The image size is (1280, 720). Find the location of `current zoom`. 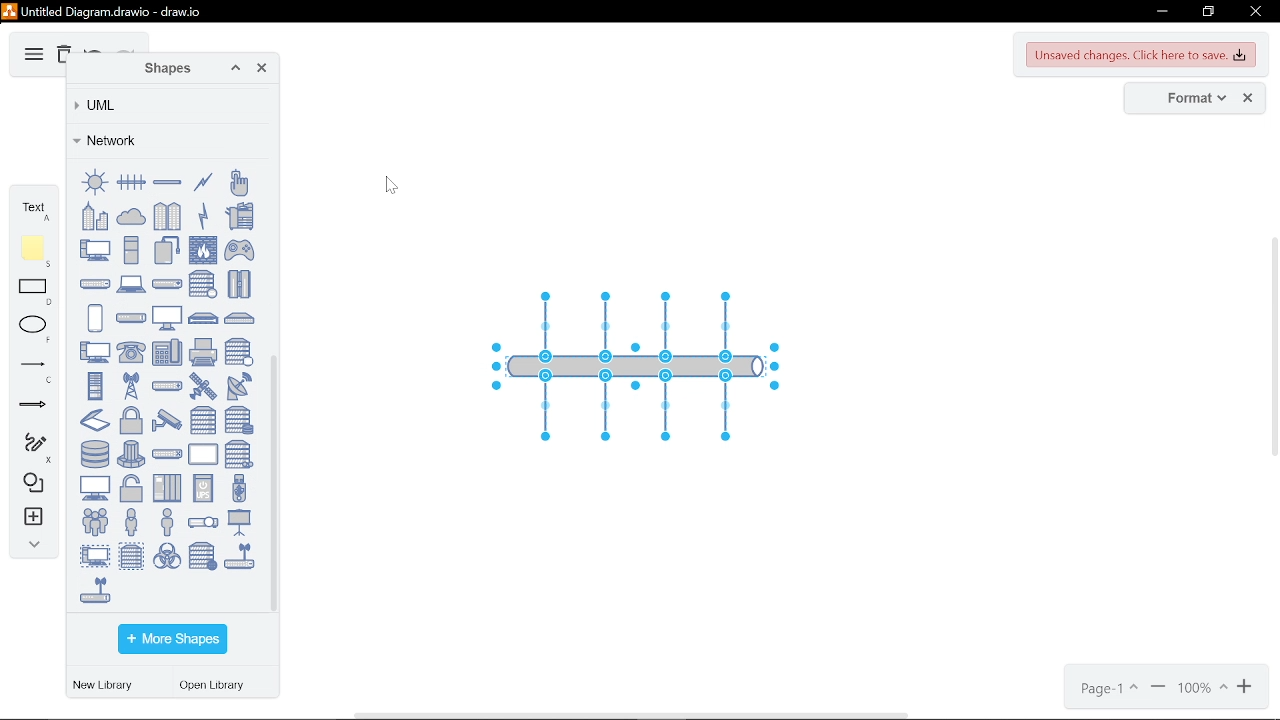

current zoom is located at coordinates (1203, 689).